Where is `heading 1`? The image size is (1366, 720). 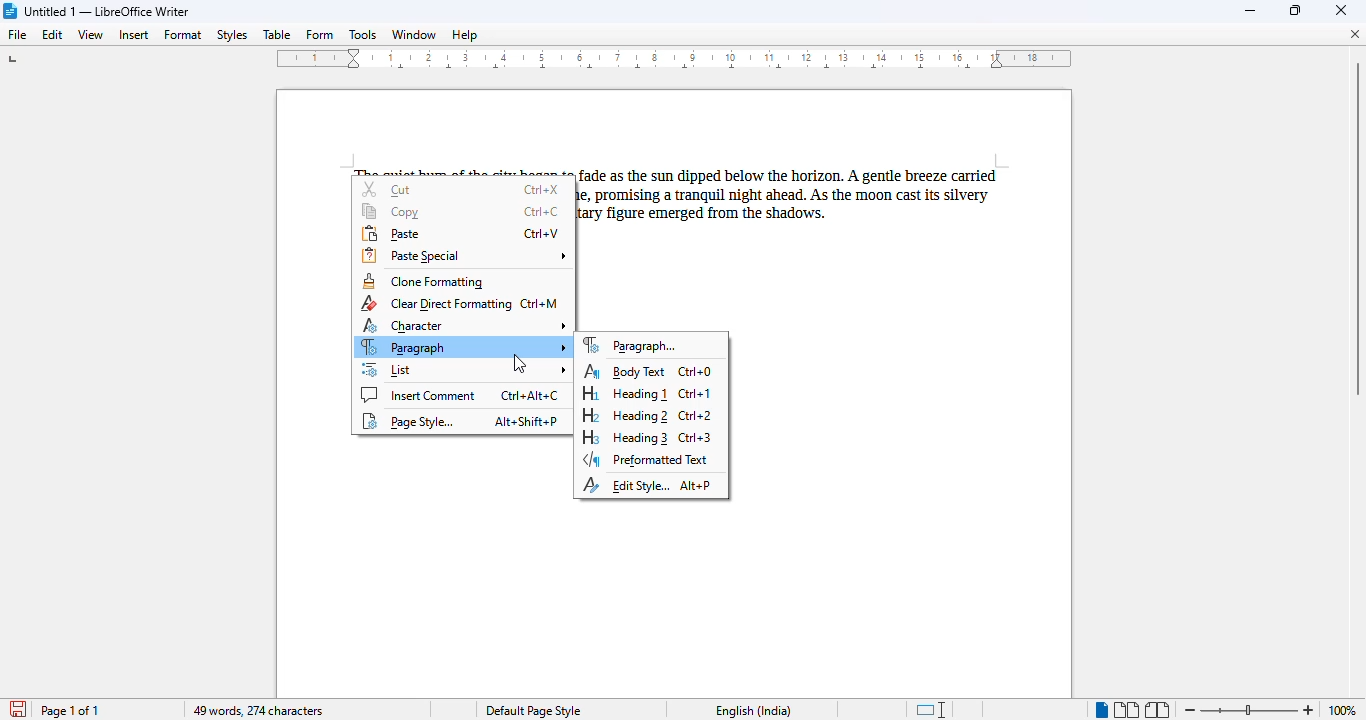 heading 1 is located at coordinates (647, 394).